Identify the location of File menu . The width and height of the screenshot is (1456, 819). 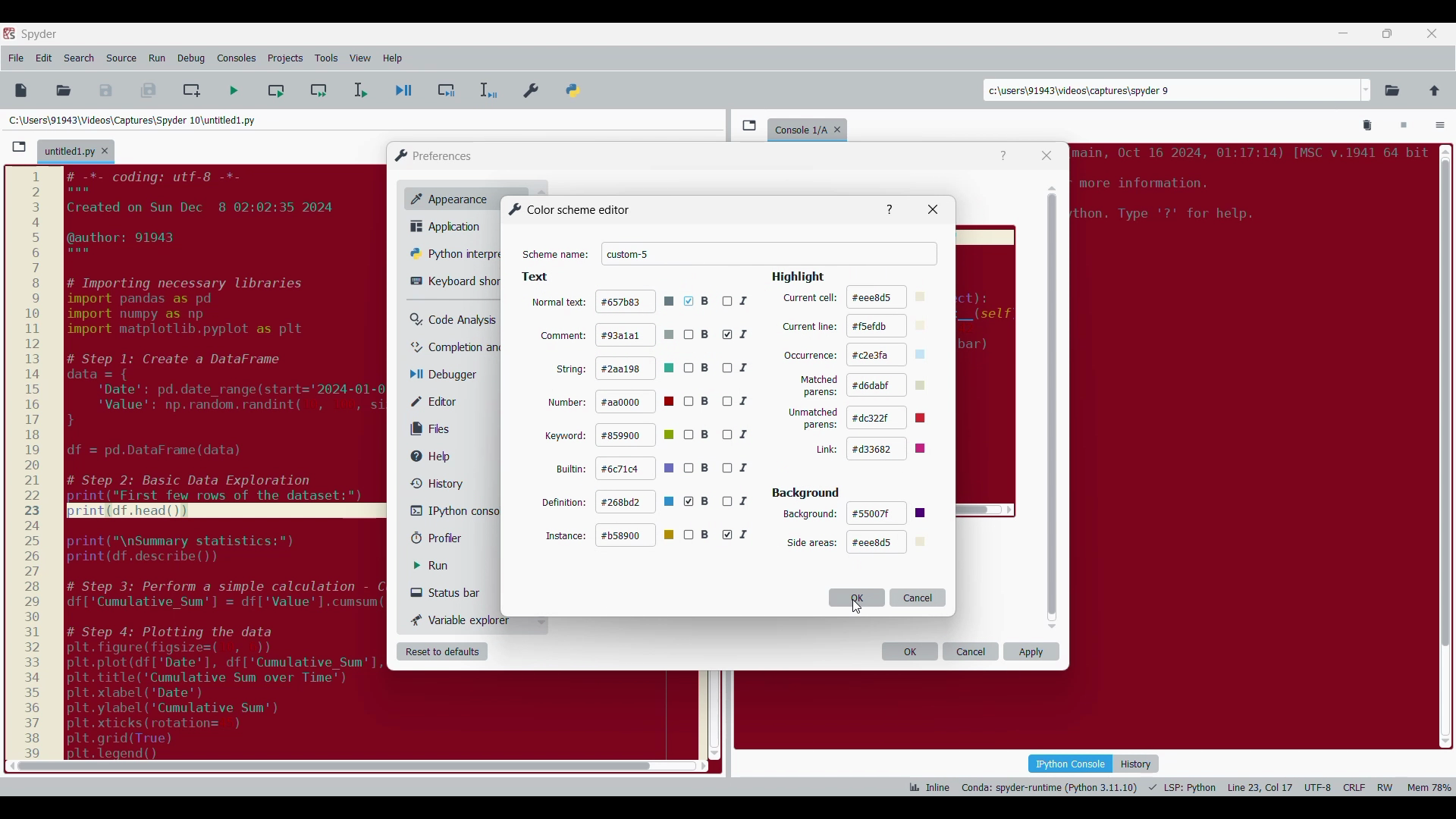
(16, 58).